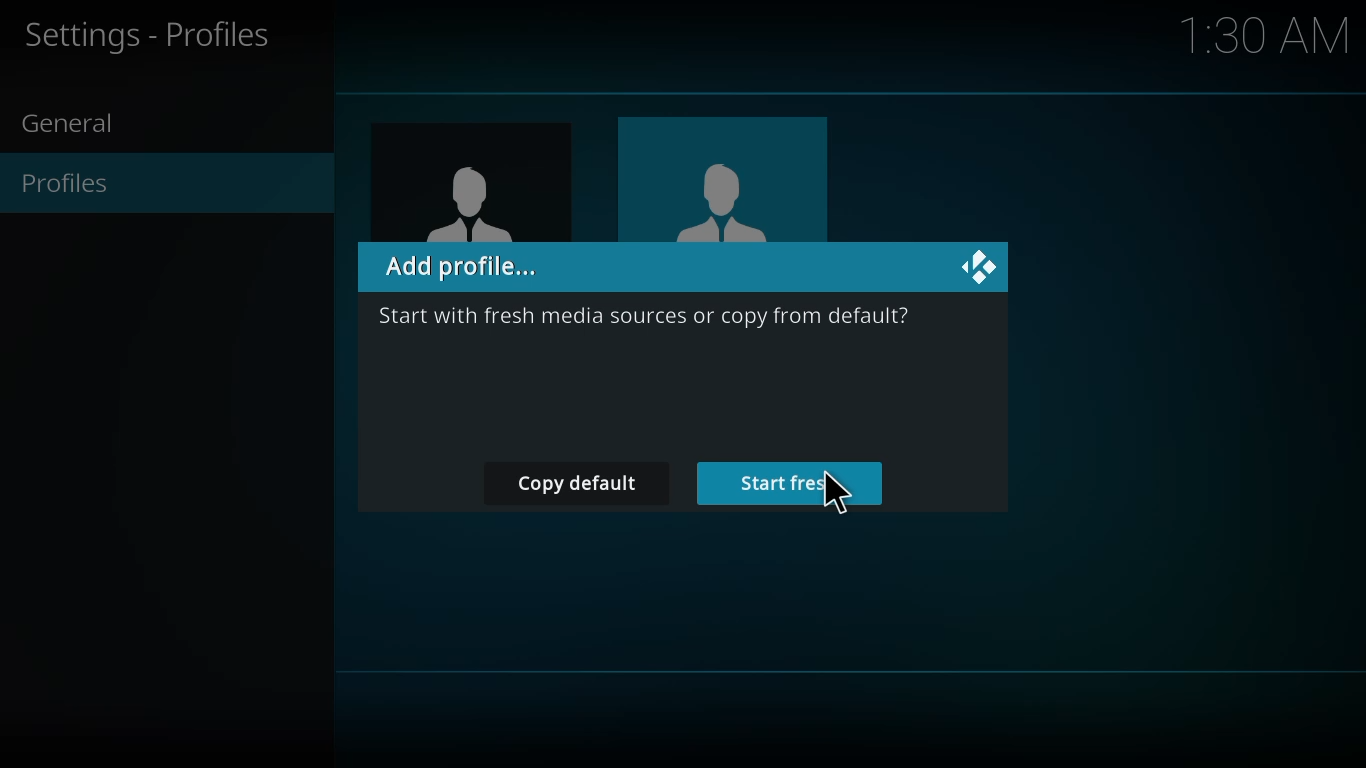 This screenshot has width=1366, height=768. What do you see at coordinates (471, 198) in the screenshot?
I see `user` at bounding box center [471, 198].